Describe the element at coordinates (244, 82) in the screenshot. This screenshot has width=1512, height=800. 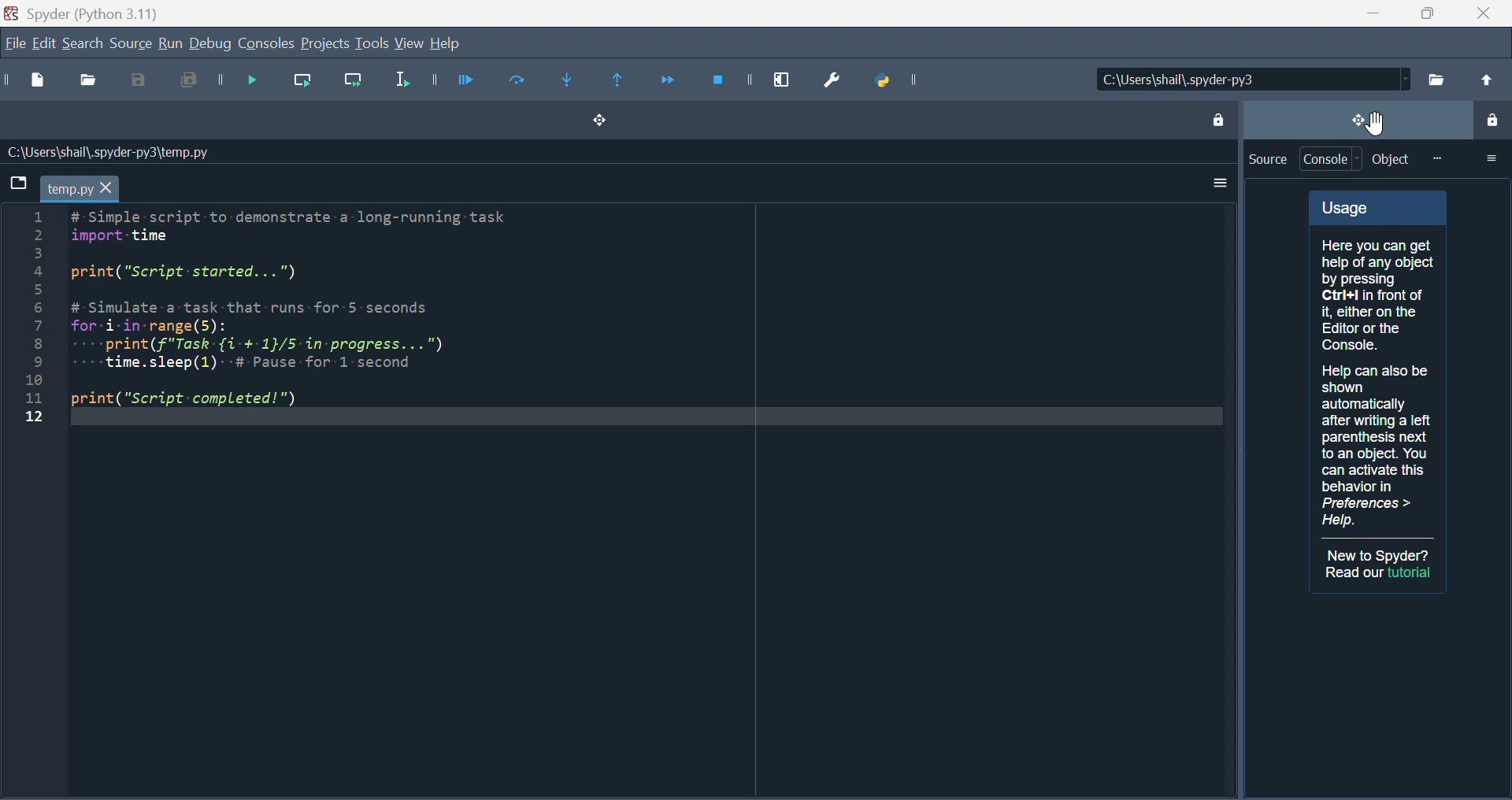
I see `Debug file` at that location.